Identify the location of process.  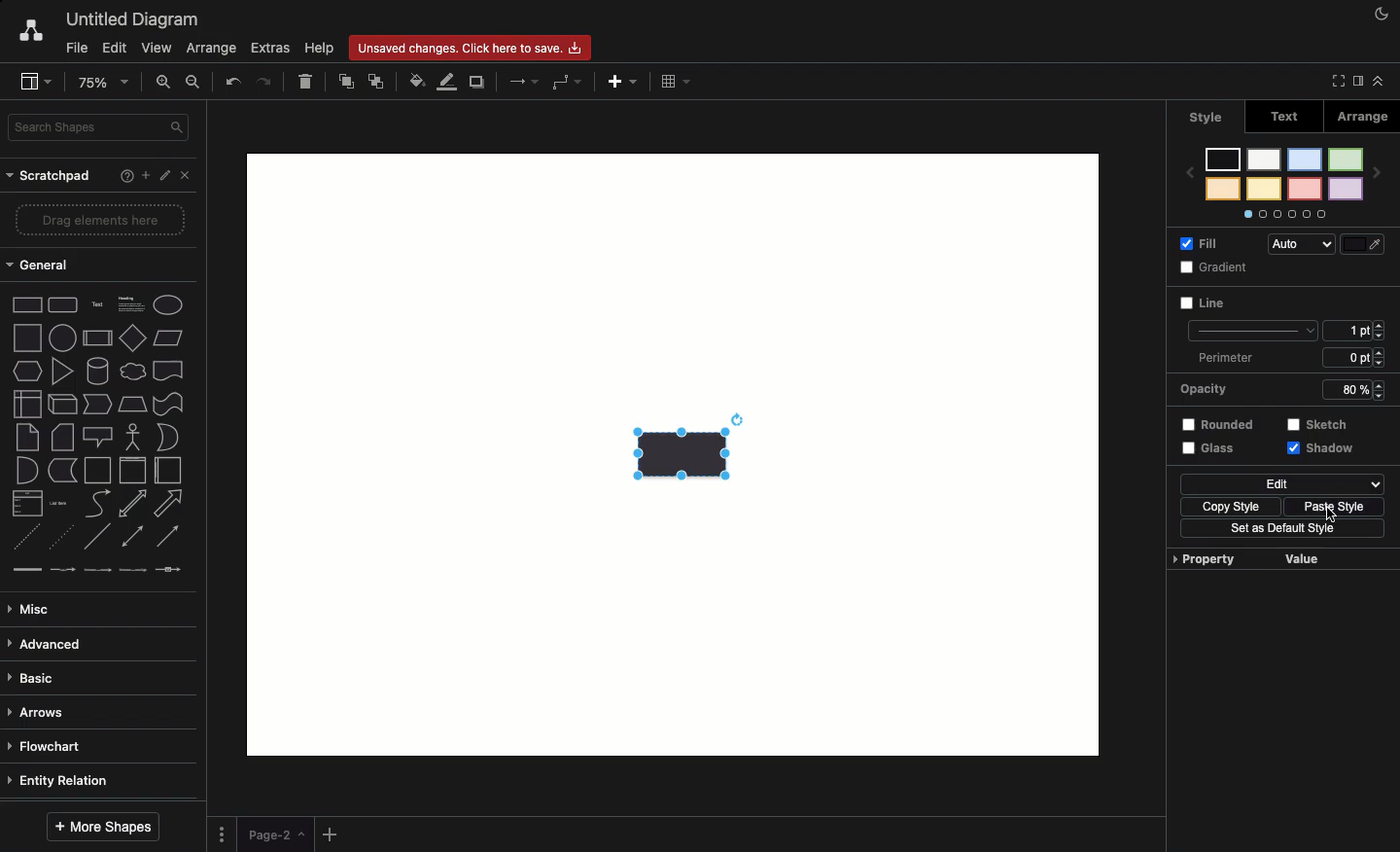
(96, 339).